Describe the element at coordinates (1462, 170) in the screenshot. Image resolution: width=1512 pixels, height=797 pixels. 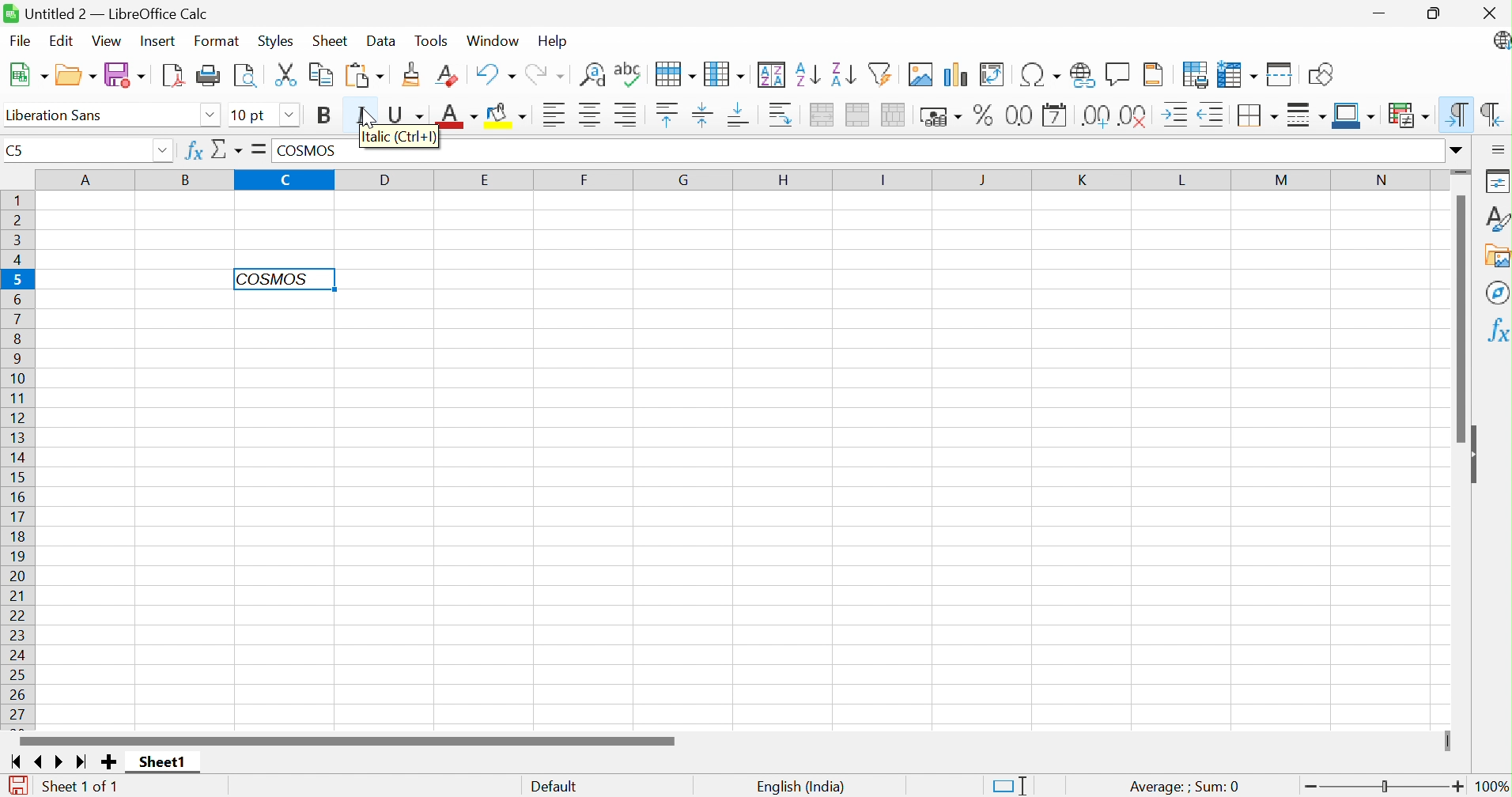
I see `Slider` at that location.